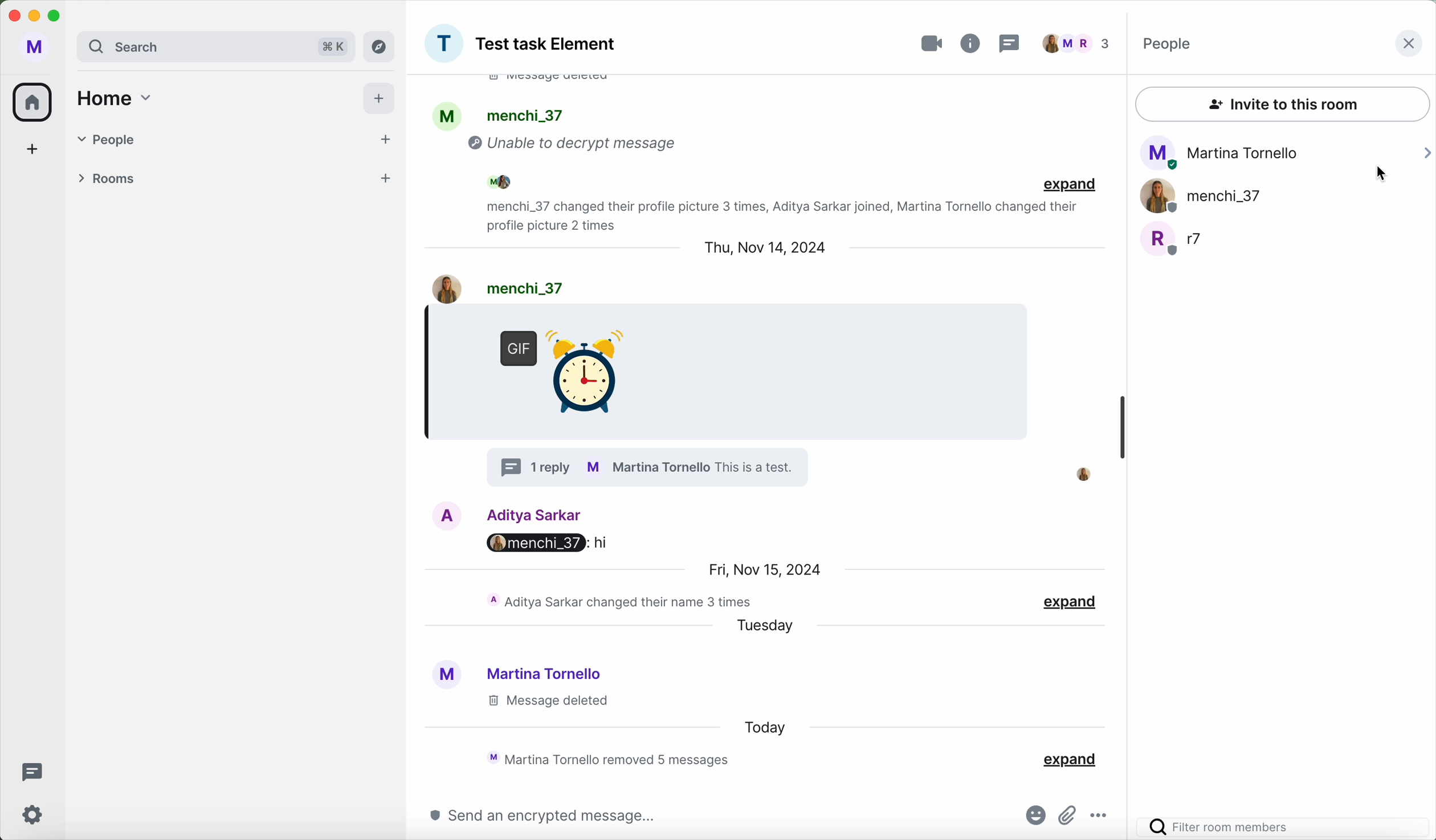  I want to click on home, so click(119, 100).